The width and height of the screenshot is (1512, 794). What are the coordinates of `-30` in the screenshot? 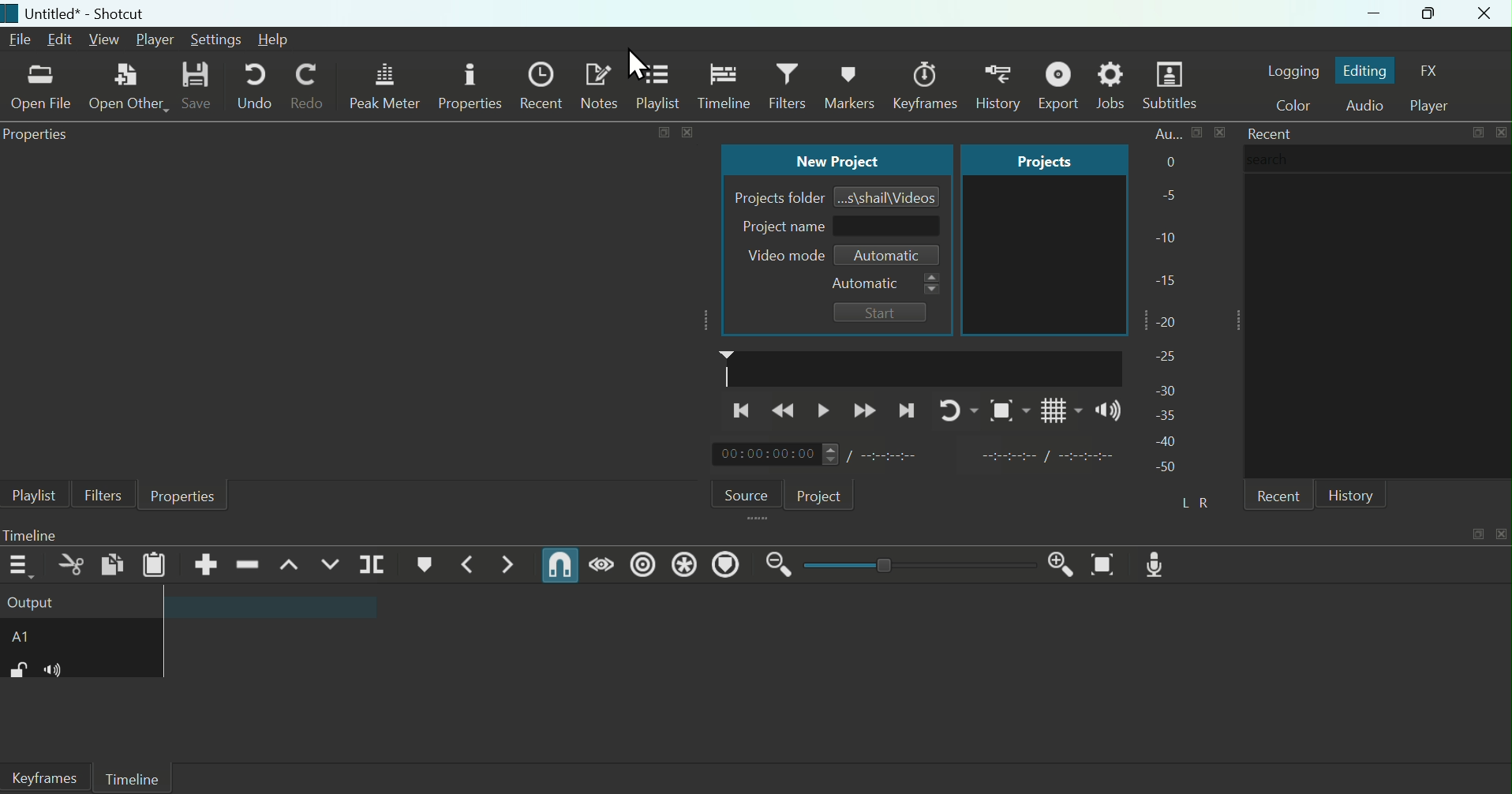 It's located at (1169, 387).